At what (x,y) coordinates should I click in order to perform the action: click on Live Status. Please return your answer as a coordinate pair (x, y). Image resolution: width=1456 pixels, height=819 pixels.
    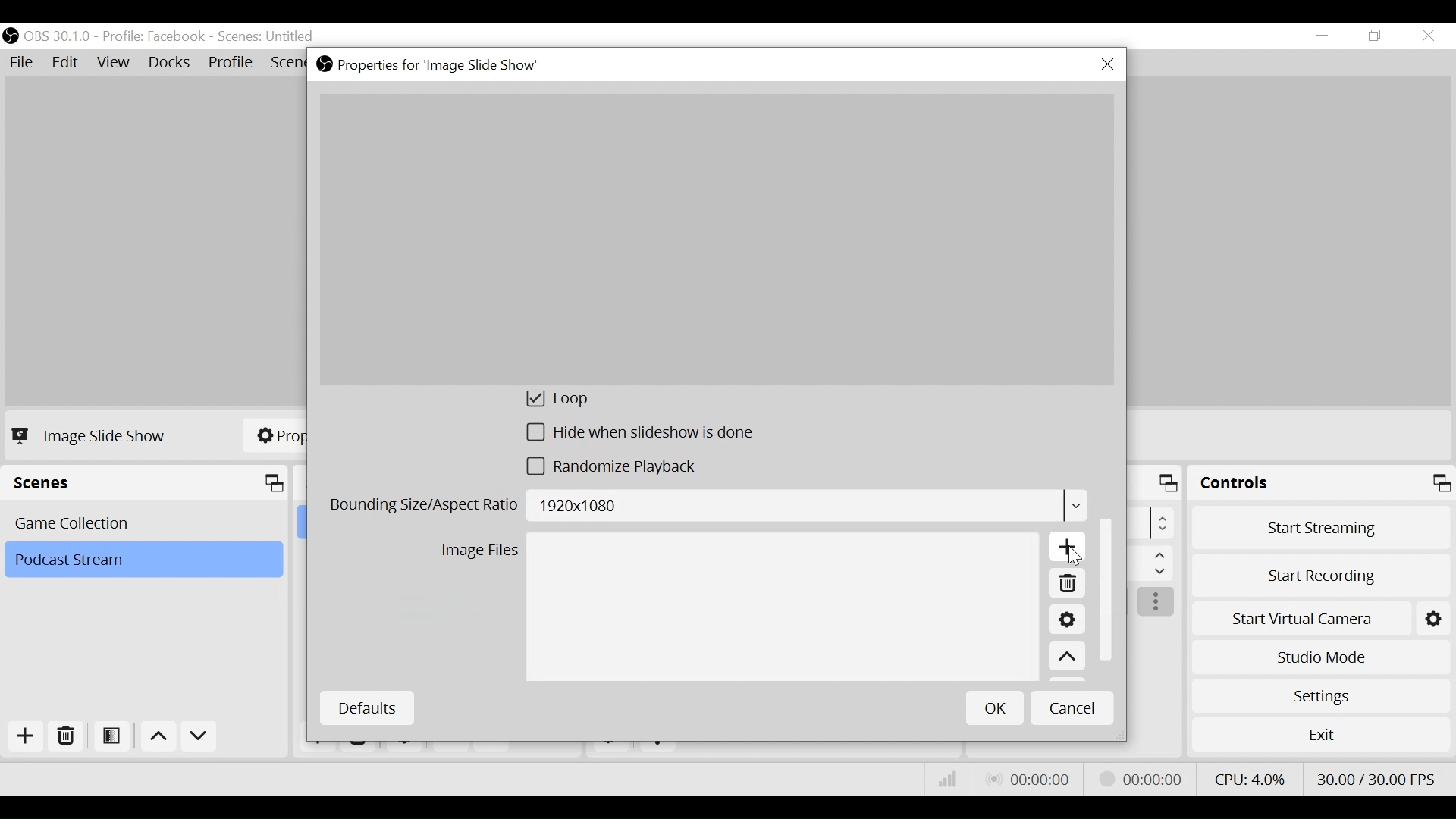
    Looking at the image, I should click on (1027, 780).